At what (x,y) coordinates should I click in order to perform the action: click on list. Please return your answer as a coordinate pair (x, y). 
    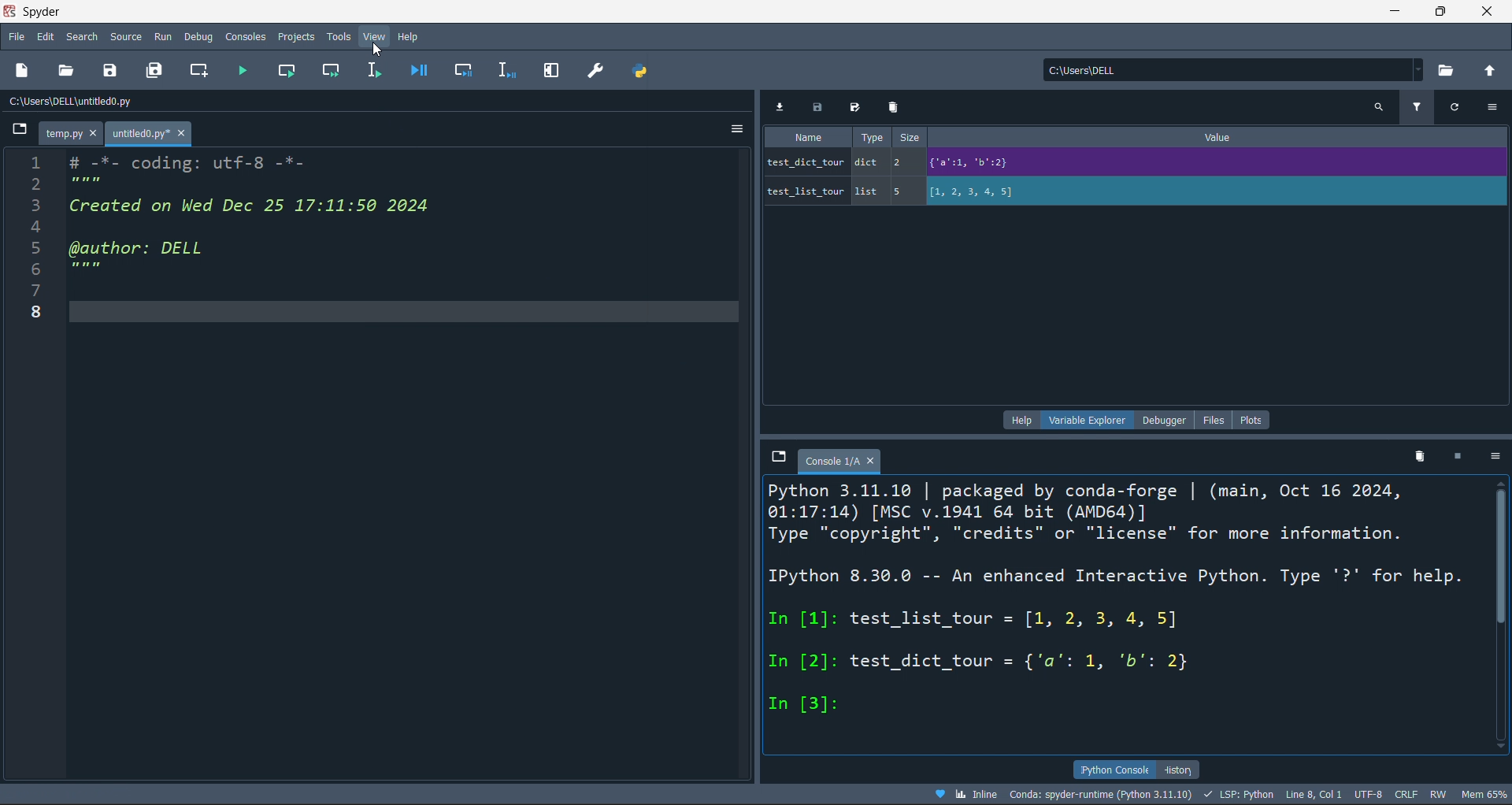
    Looking at the image, I should click on (866, 195).